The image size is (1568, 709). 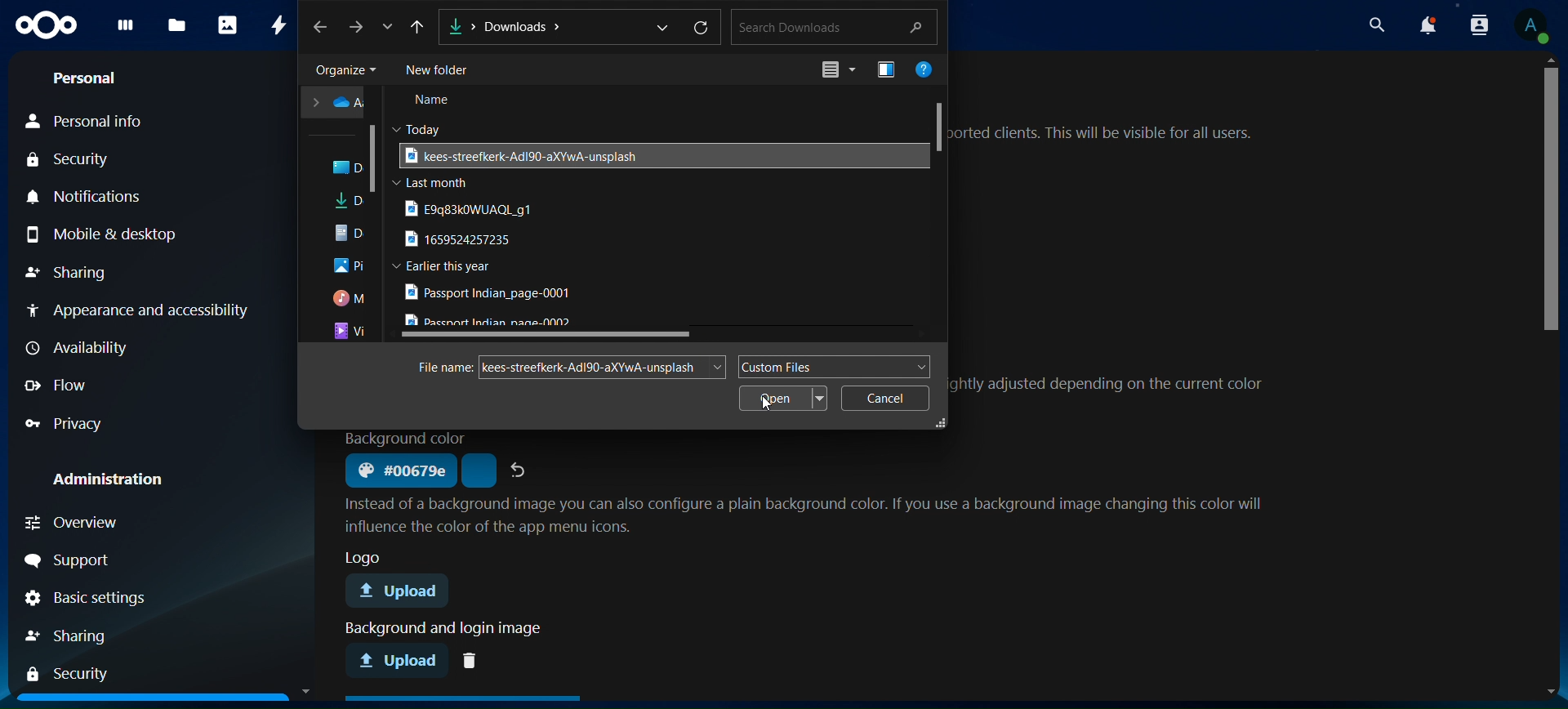 I want to click on personal info, so click(x=96, y=119).